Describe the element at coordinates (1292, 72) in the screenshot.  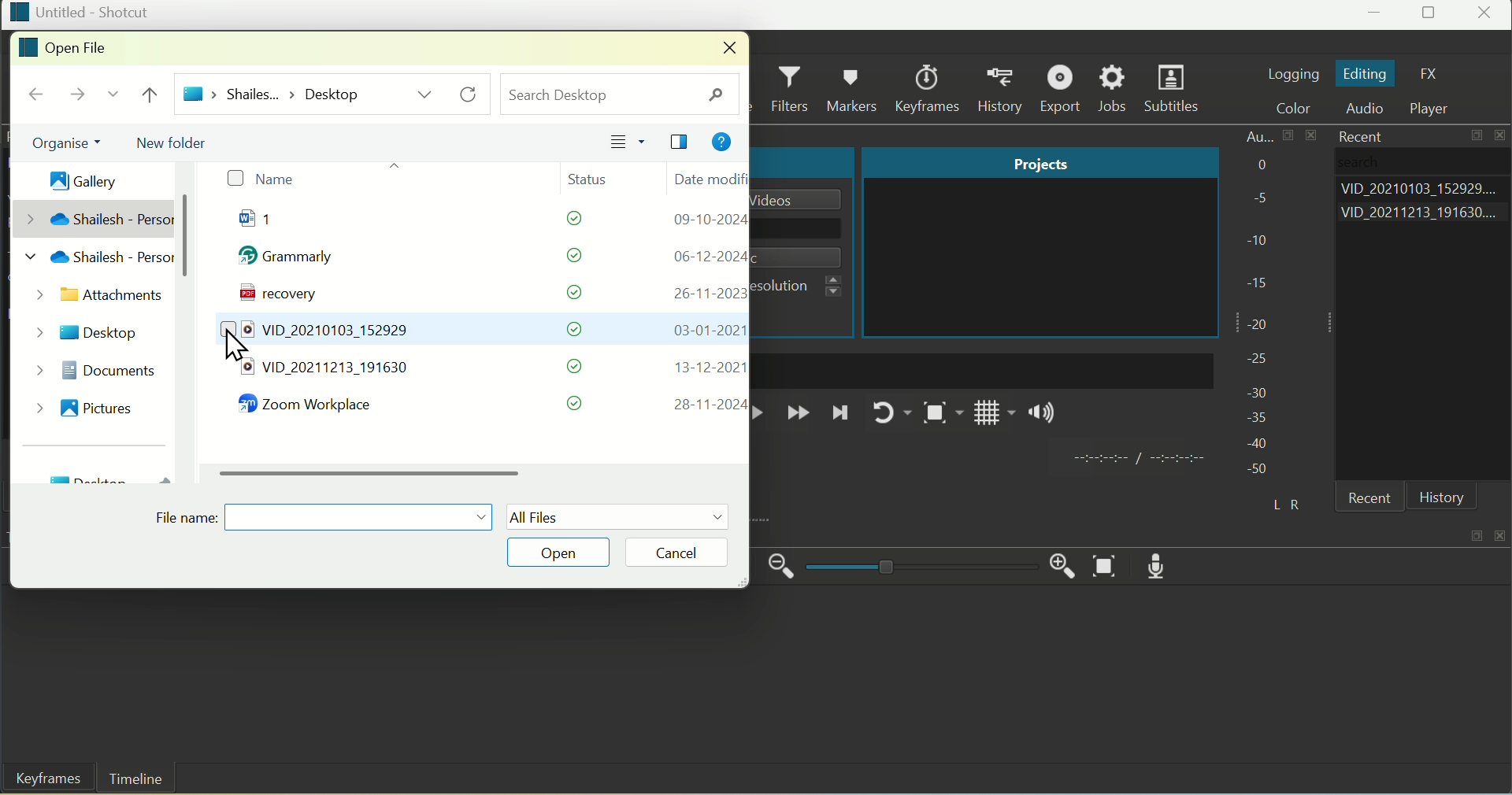
I see `Logging` at that location.